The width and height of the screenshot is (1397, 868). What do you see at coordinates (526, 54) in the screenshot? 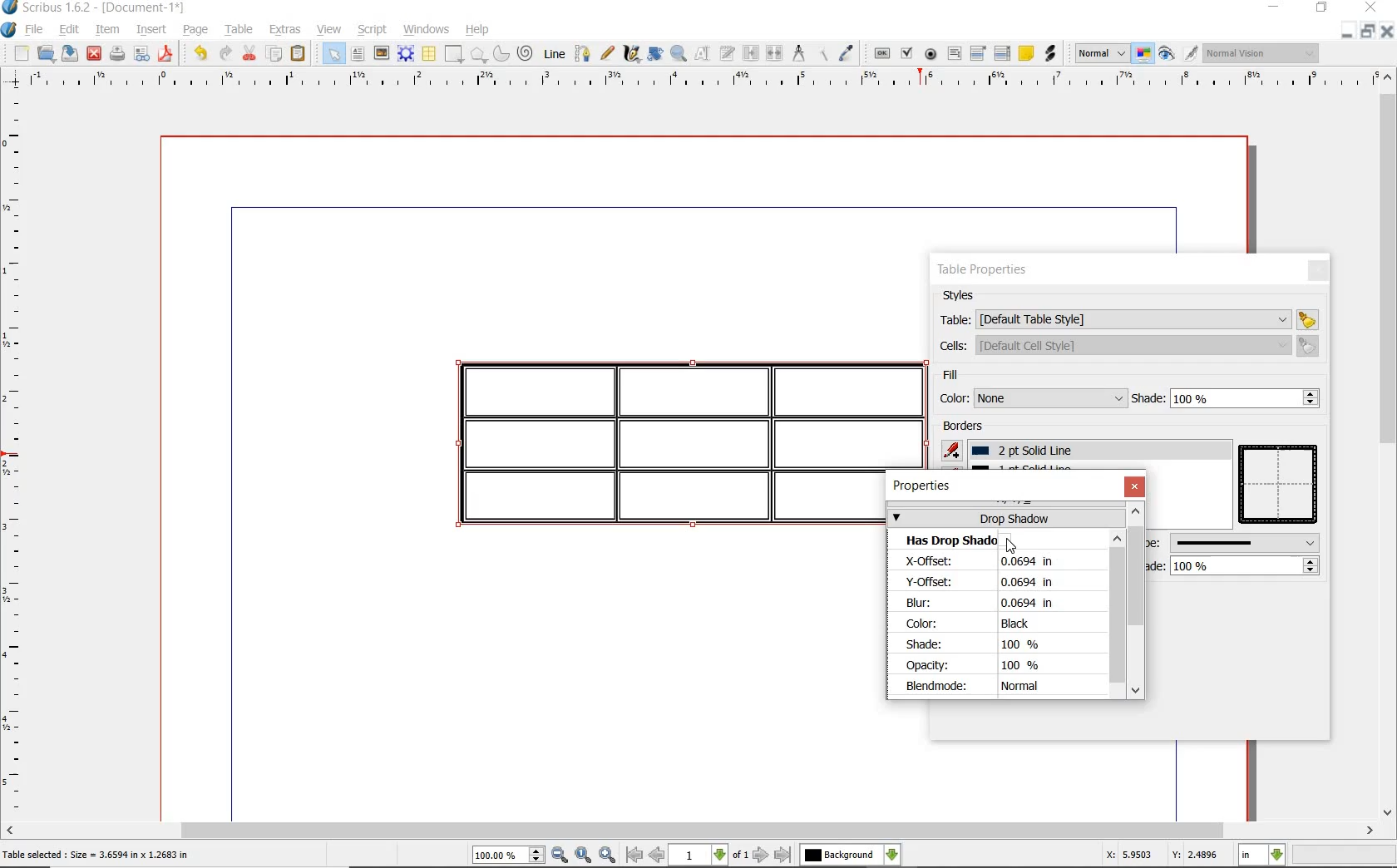
I see `spiral` at bounding box center [526, 54].